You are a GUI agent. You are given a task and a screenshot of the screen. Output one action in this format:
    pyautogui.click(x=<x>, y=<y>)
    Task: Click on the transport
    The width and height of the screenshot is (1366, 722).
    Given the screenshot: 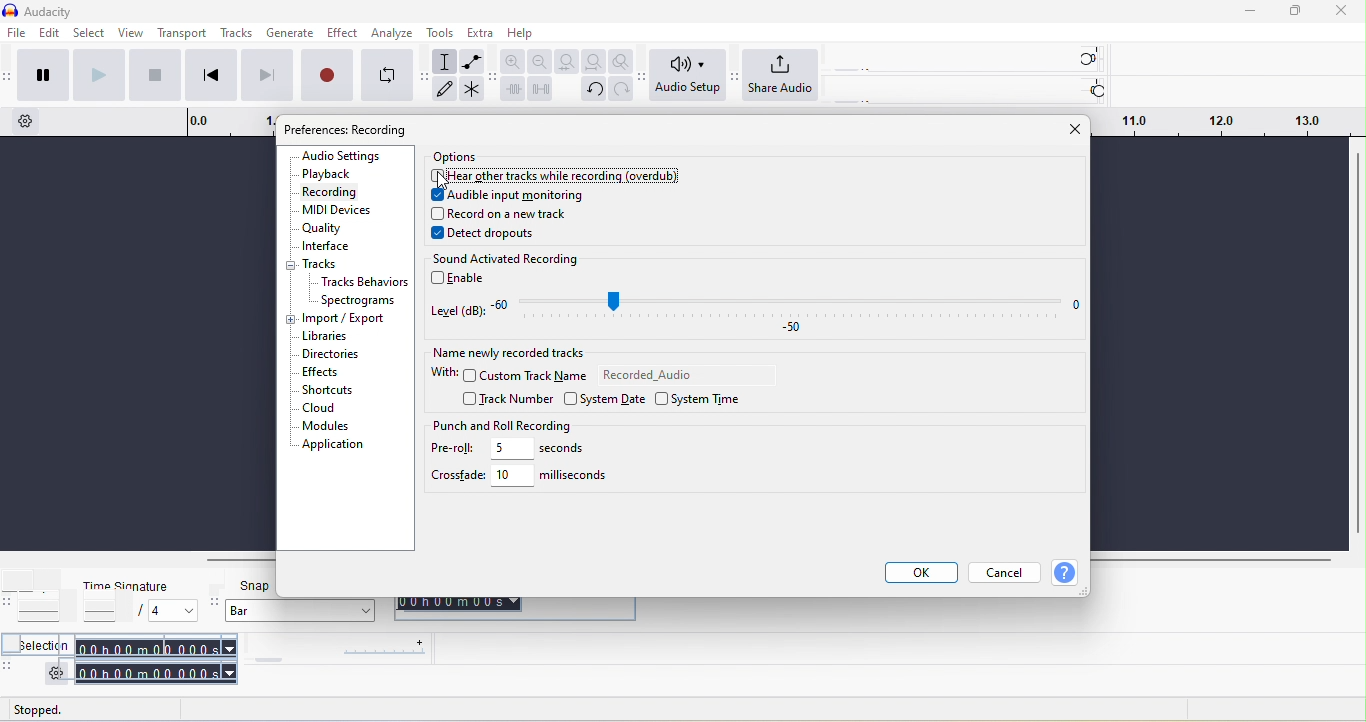 What is the action you would take?
    pyautogui.click(x=182, y=33)
    